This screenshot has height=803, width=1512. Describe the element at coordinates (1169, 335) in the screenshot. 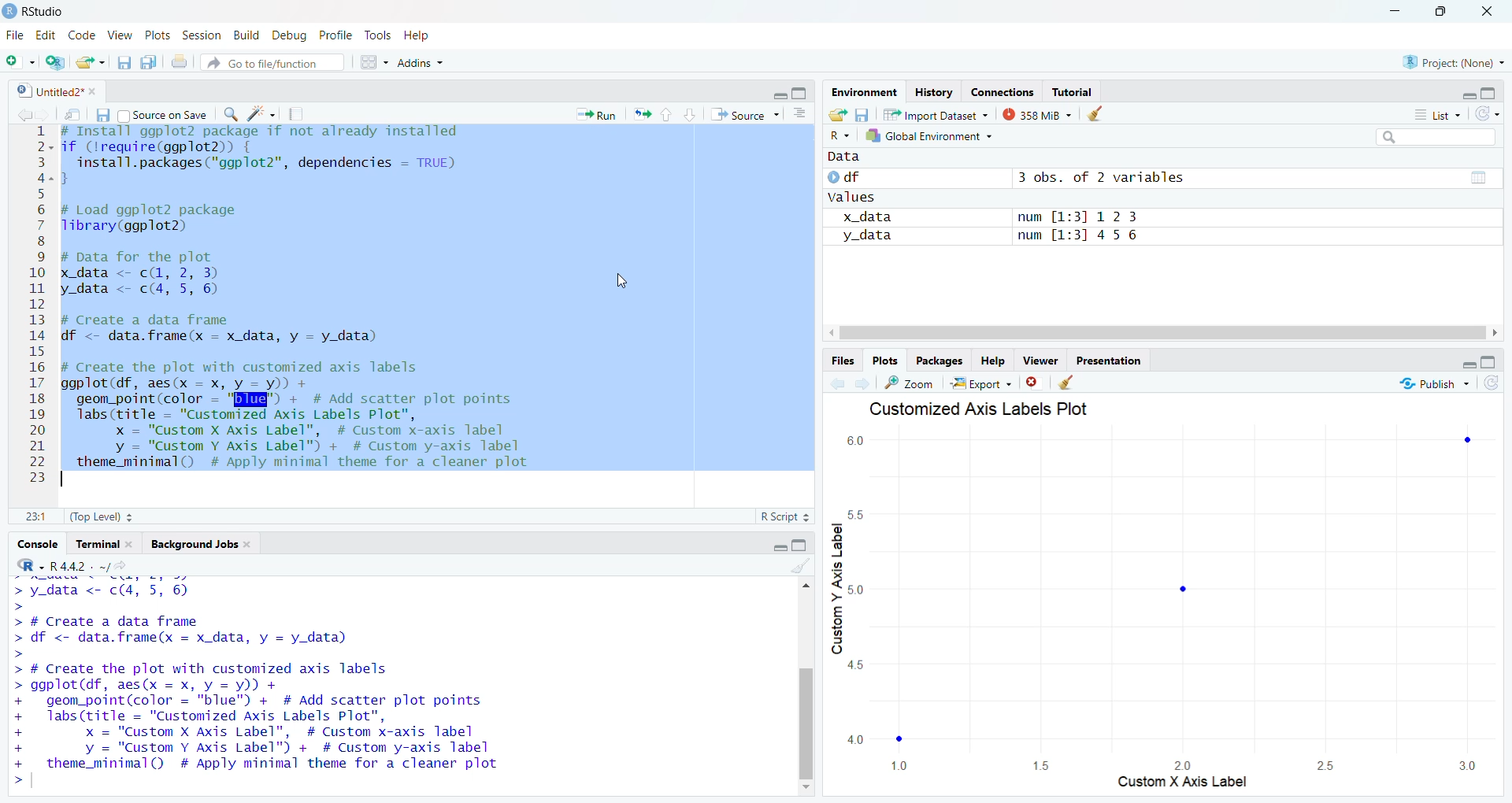

I see `scroll bar` at that location.